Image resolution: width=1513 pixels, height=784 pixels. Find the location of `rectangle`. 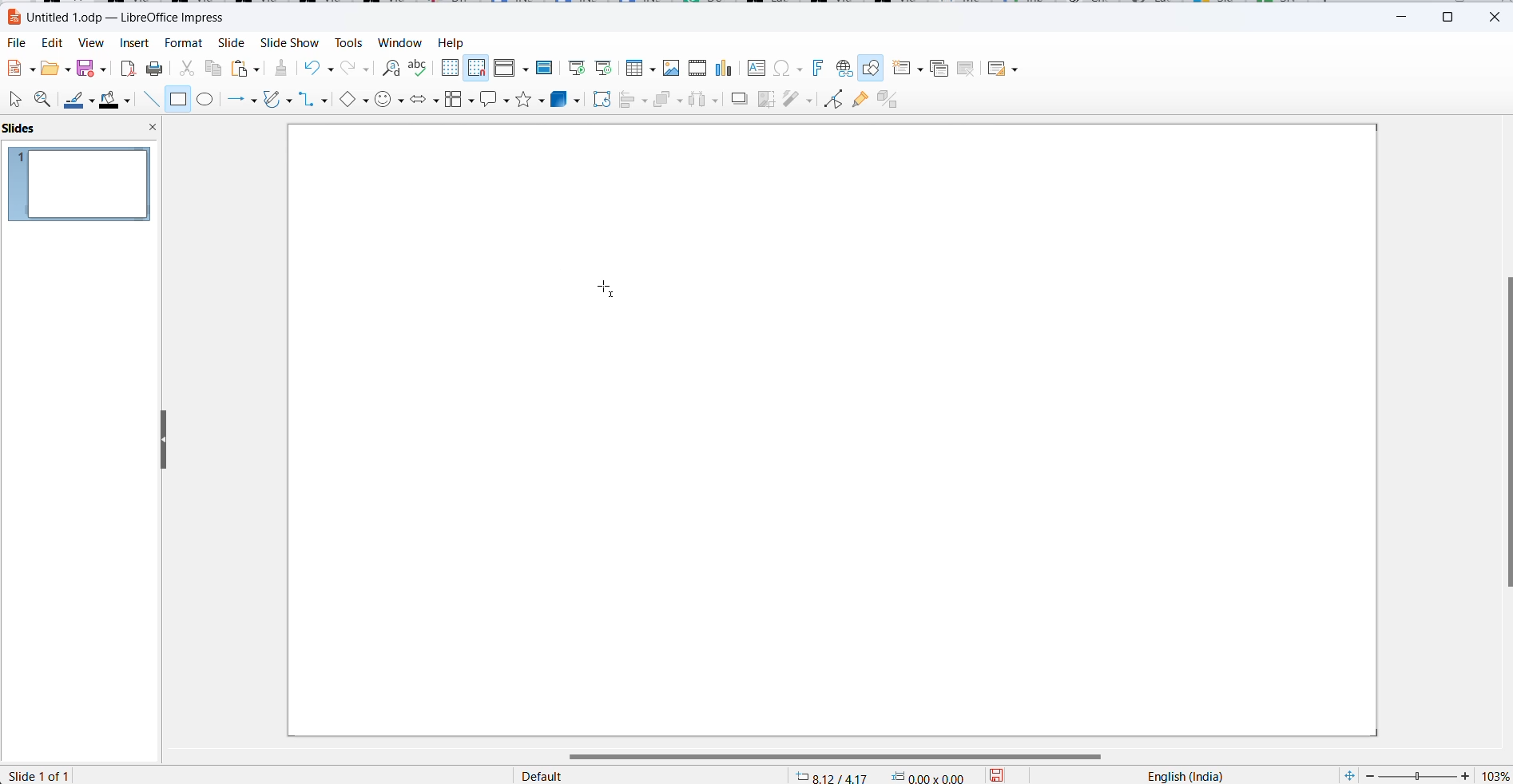

rectangle is located at coordinates (178, 101).